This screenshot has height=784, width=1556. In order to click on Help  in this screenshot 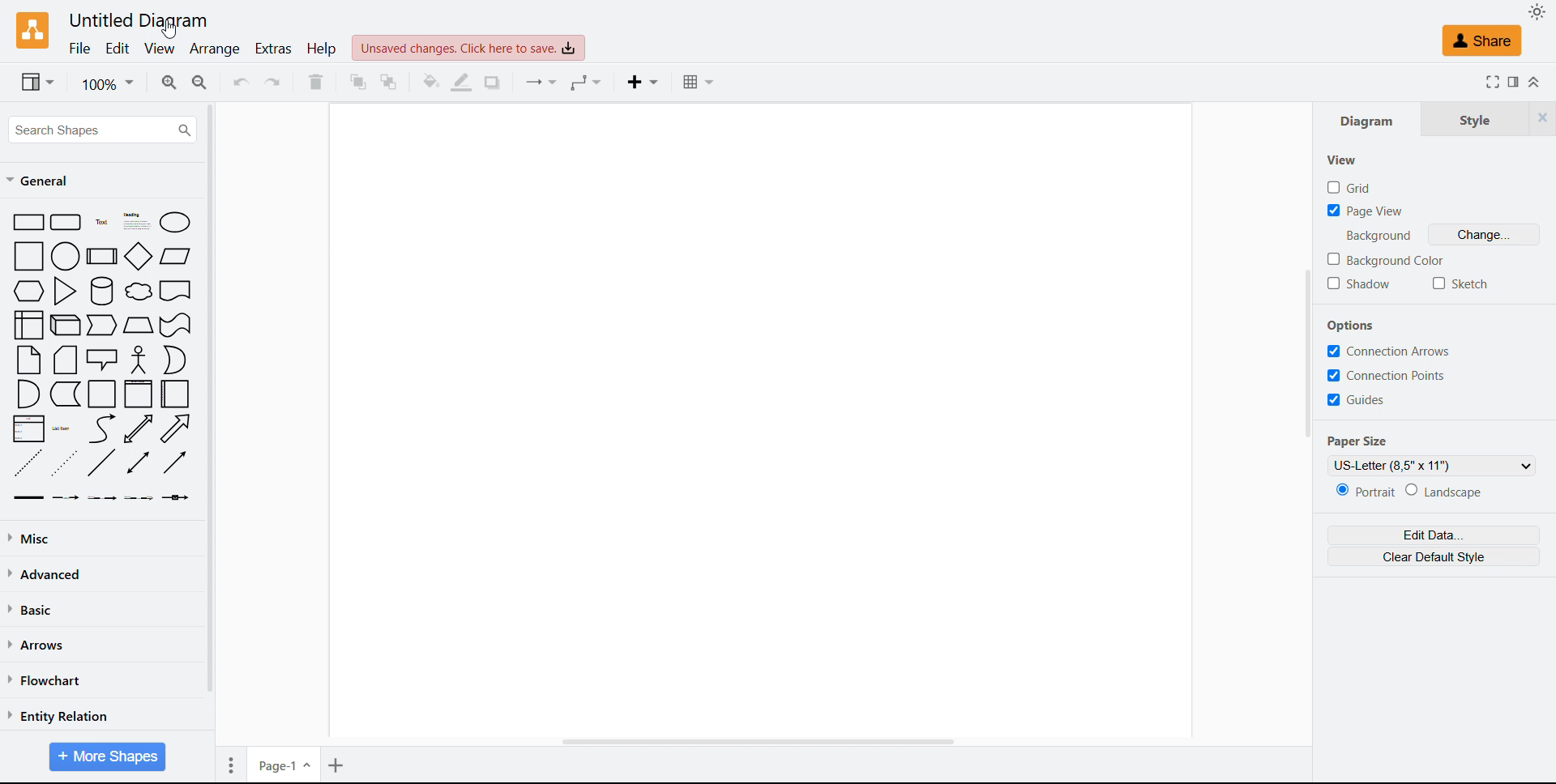, I will do `click(322, 48)`.